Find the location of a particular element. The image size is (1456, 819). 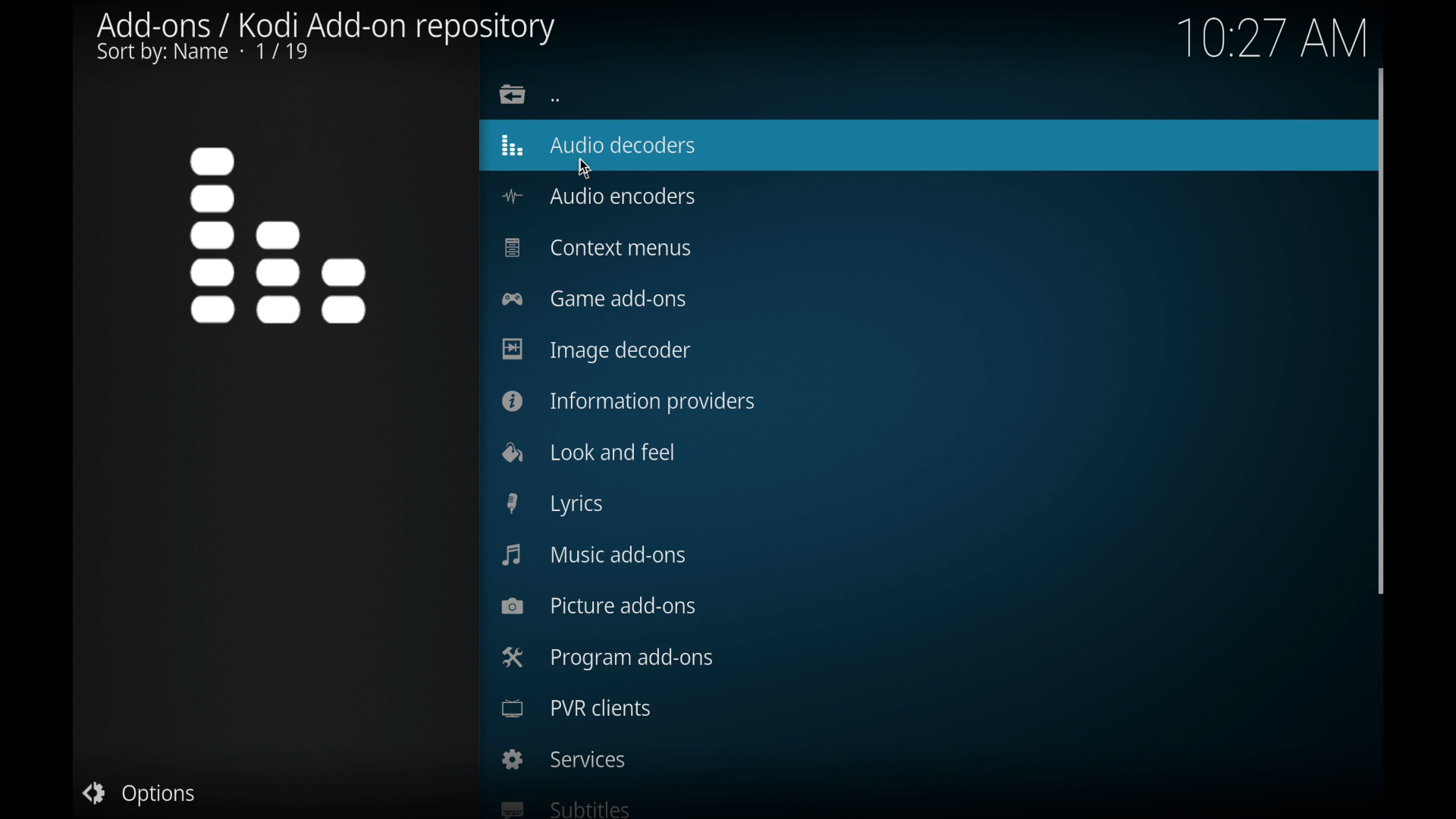

pictureadd-ons is located at coordinates (599, 605).